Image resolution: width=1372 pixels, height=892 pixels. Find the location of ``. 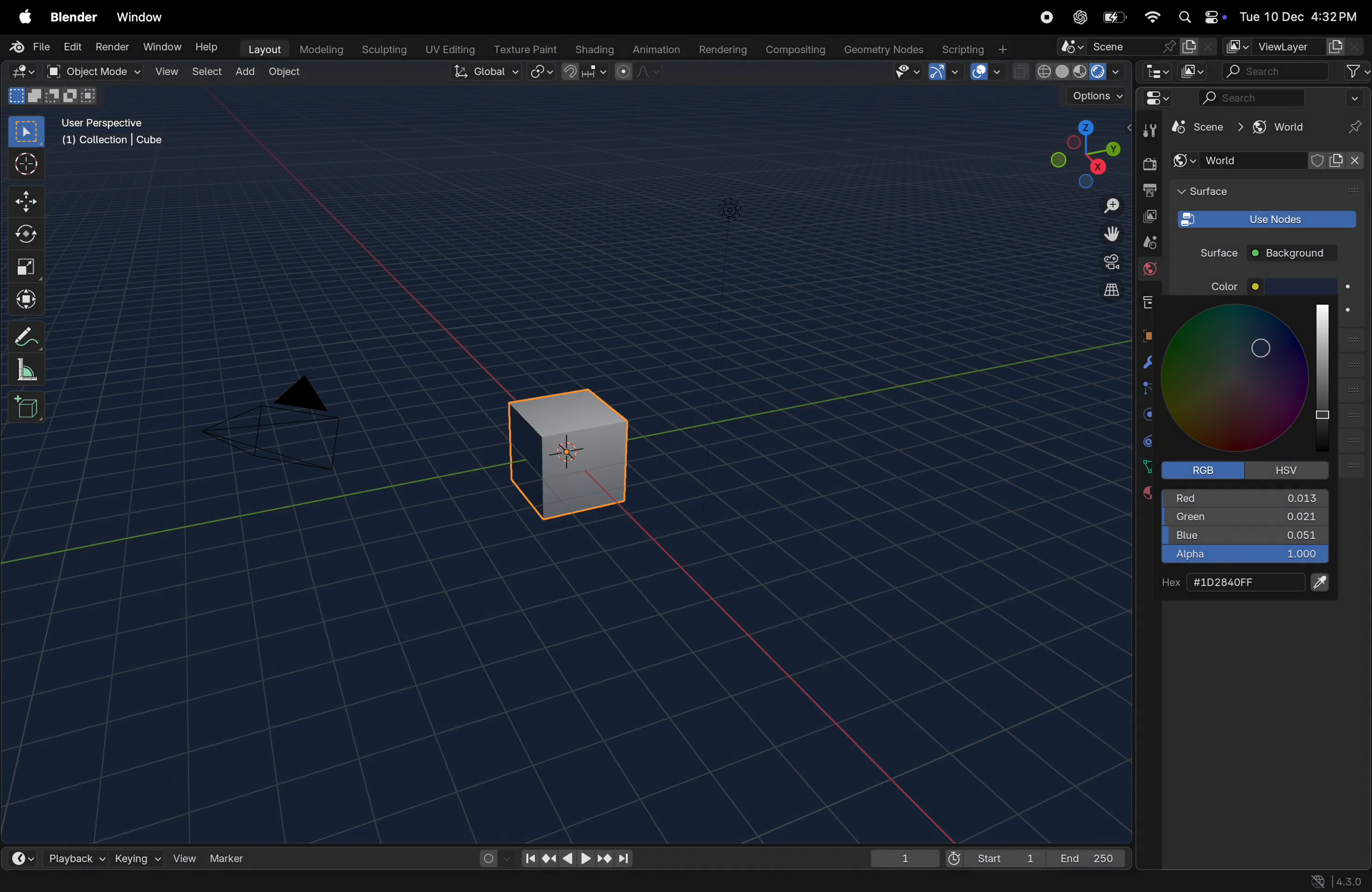

 is located at coordinates (1148, 191).